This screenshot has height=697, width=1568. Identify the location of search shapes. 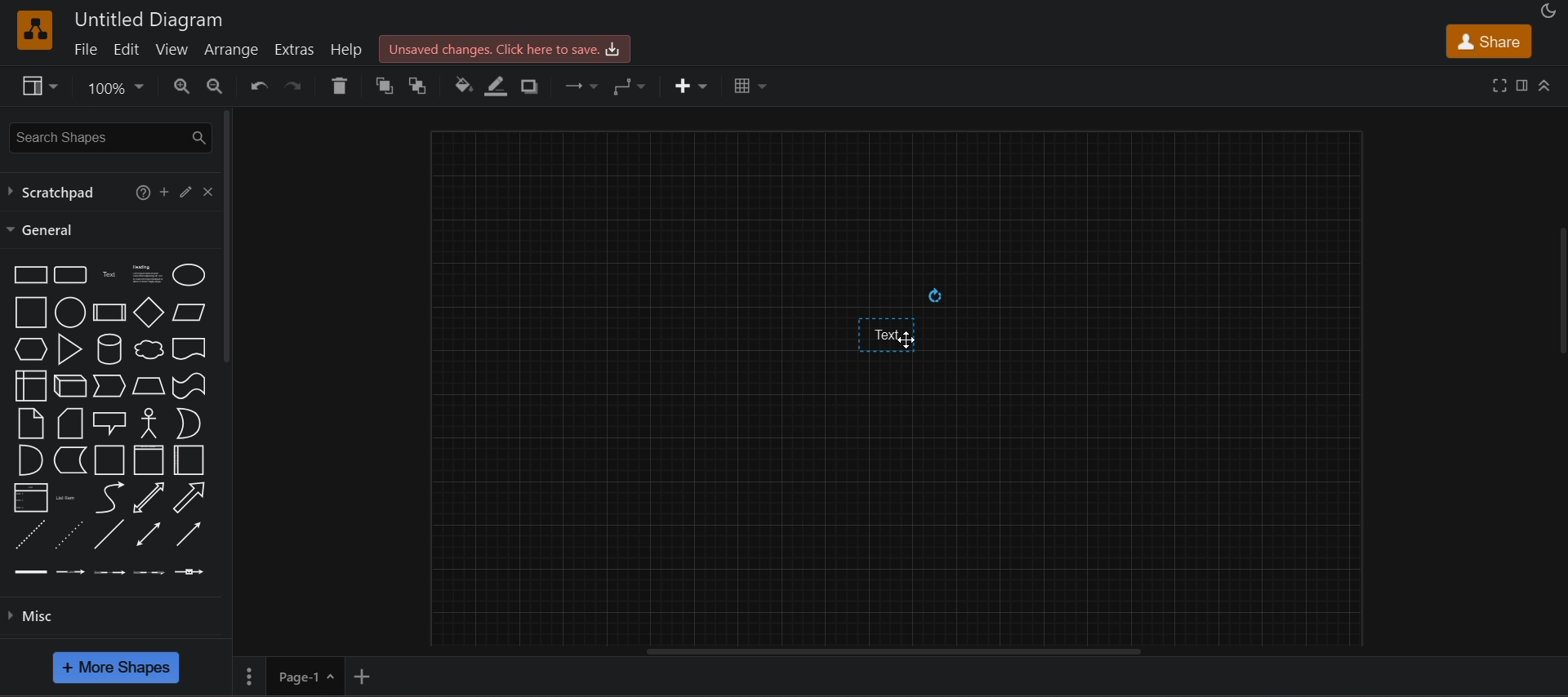
(108, 138).